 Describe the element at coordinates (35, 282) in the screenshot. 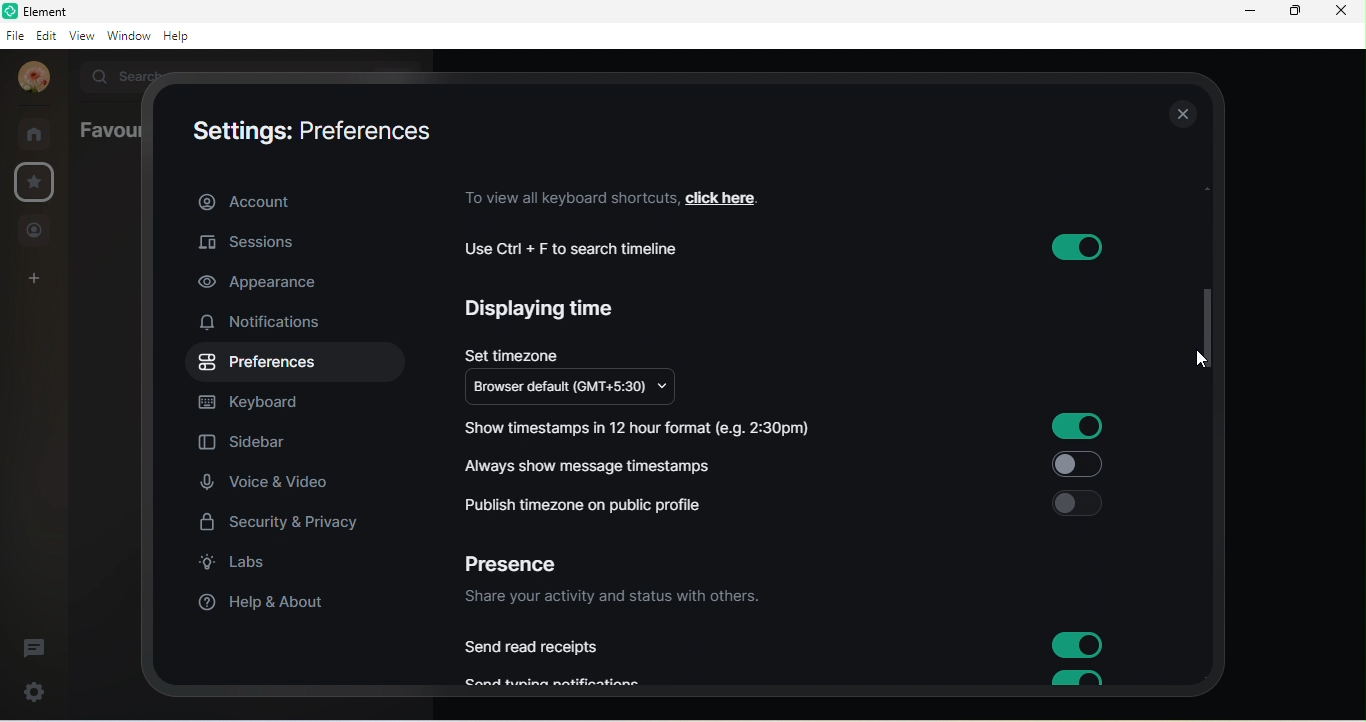

I see `add space` at that location.